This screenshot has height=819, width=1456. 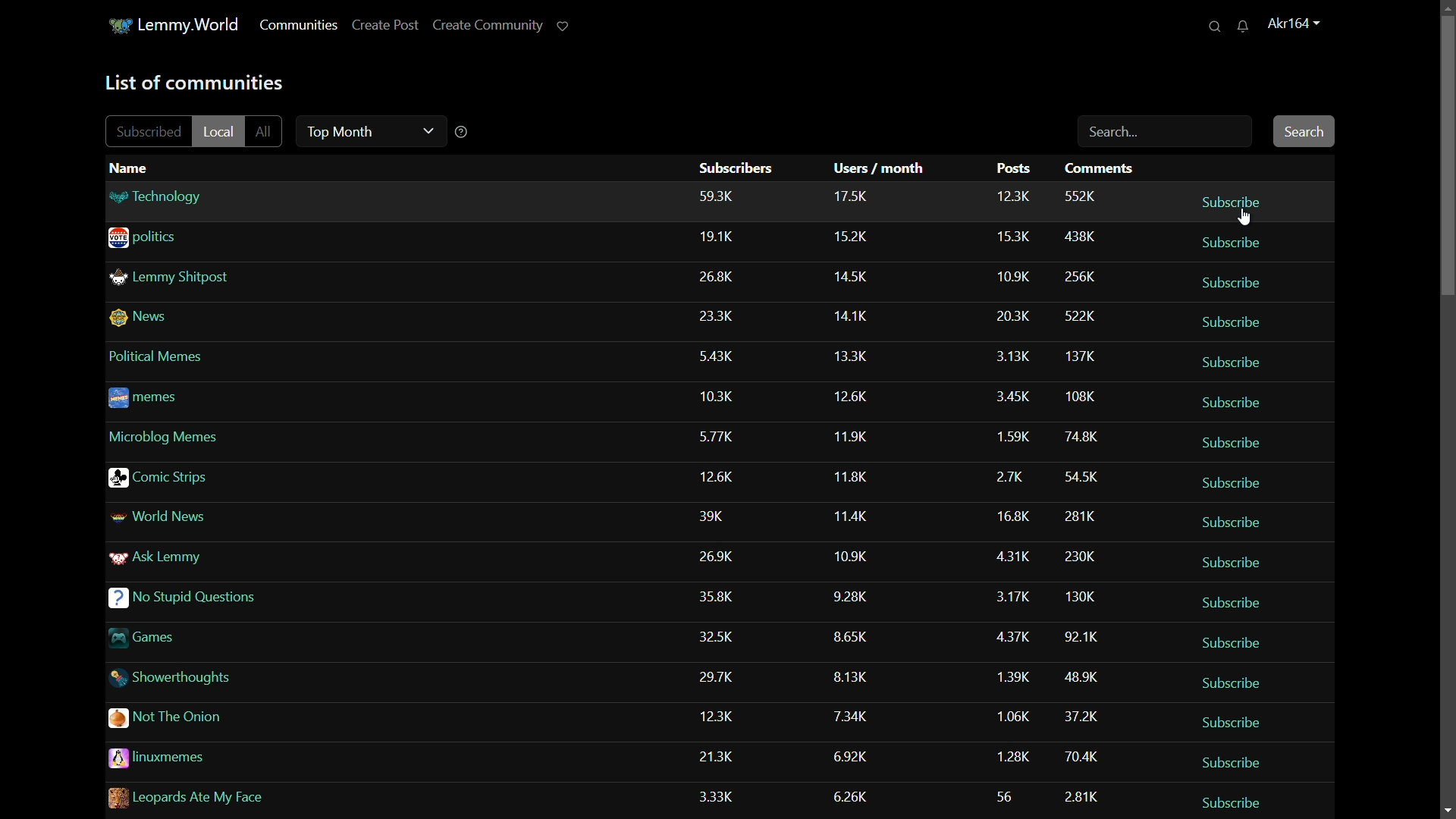 What do you see at coordinates (1078, 716) in the screenshot?
I see `comments` at bounding box center [1078, 716].